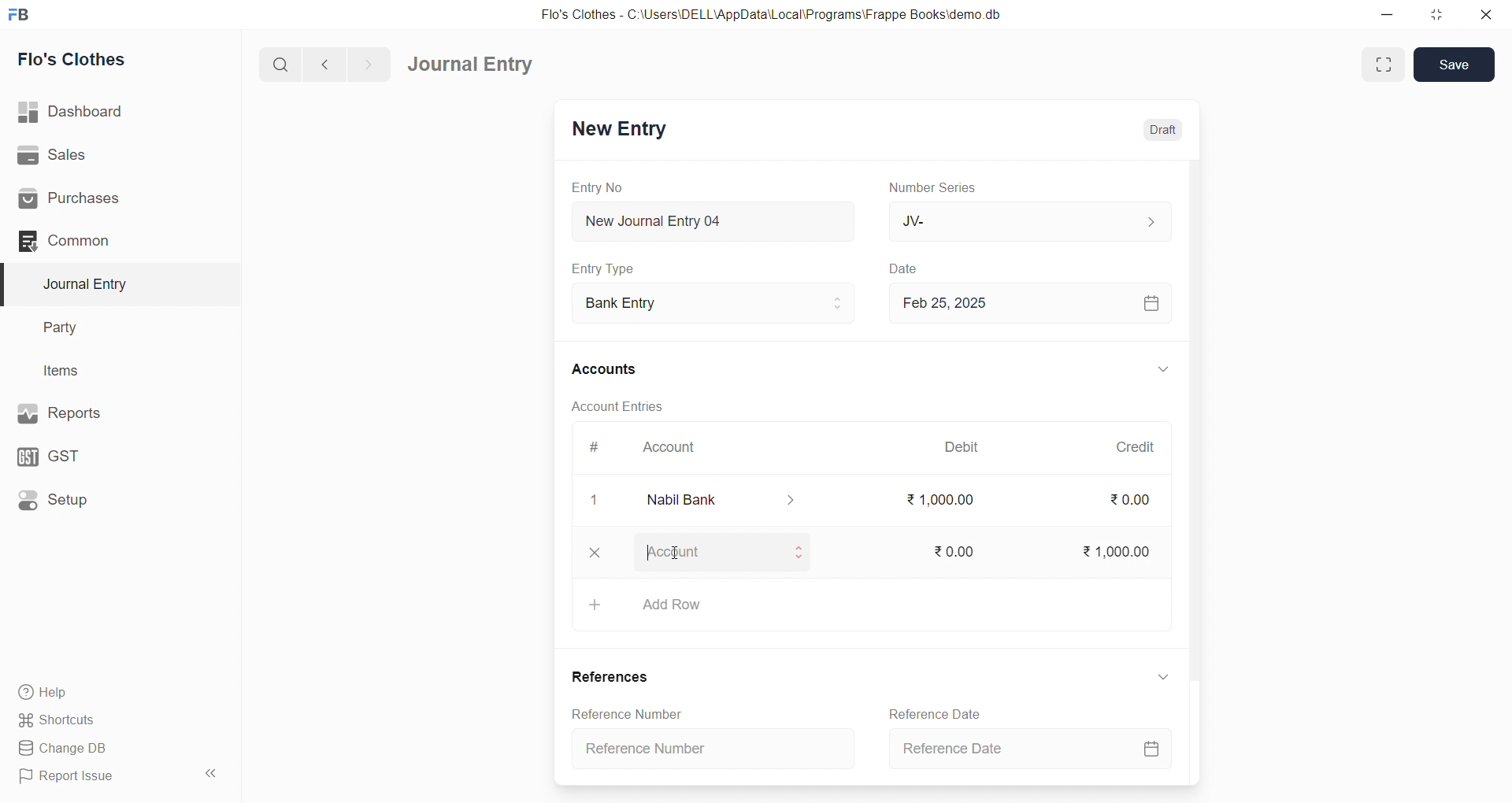 The width and height of the screenshot is (1512, 803). What do you see at coordinates (1030, 752) in the screenshot?
I see `Reference Date` at bounding box center [1030, 752].